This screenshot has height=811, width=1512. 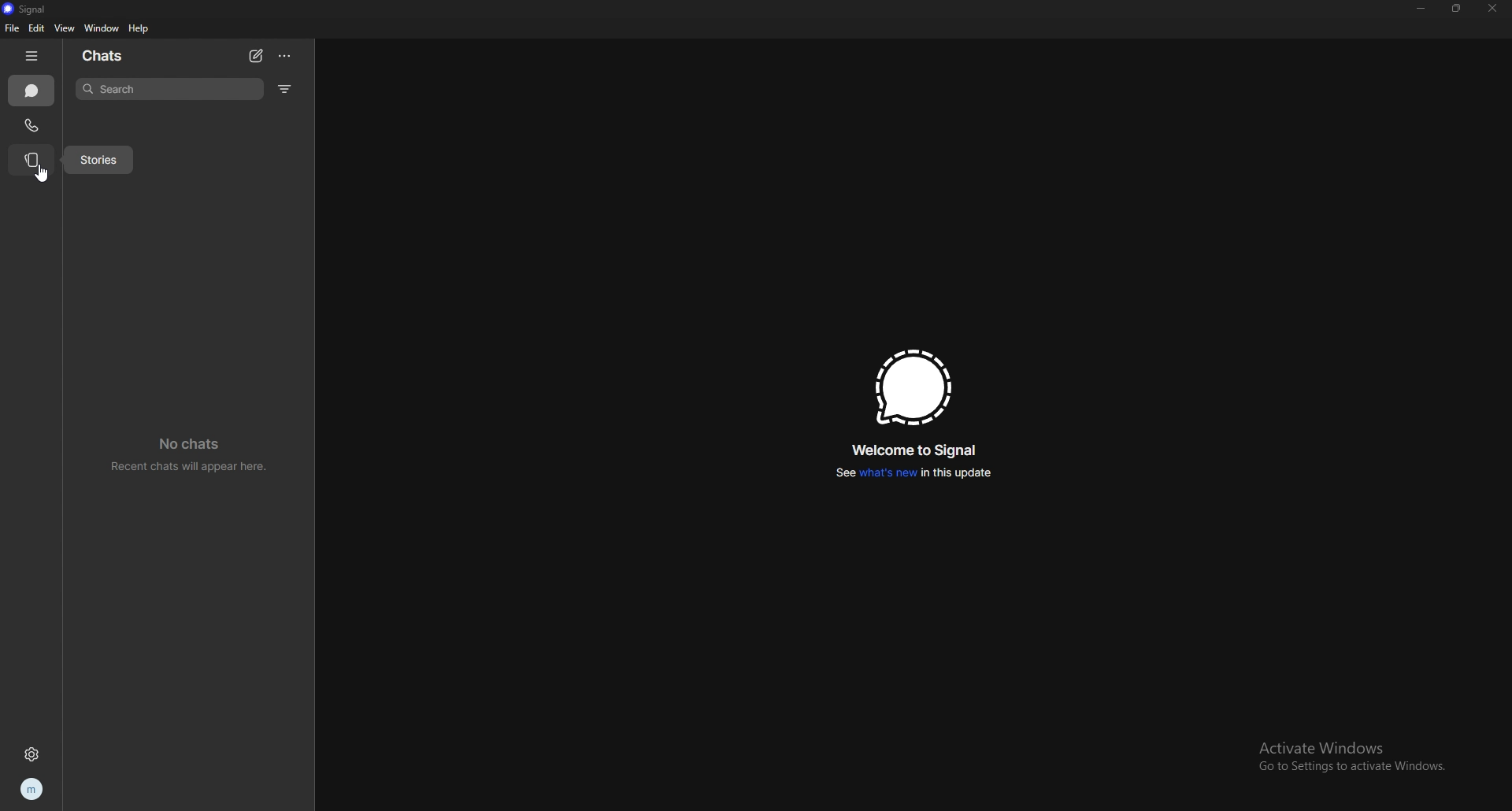 I want to click on new chat, so click(x=255, y=57).